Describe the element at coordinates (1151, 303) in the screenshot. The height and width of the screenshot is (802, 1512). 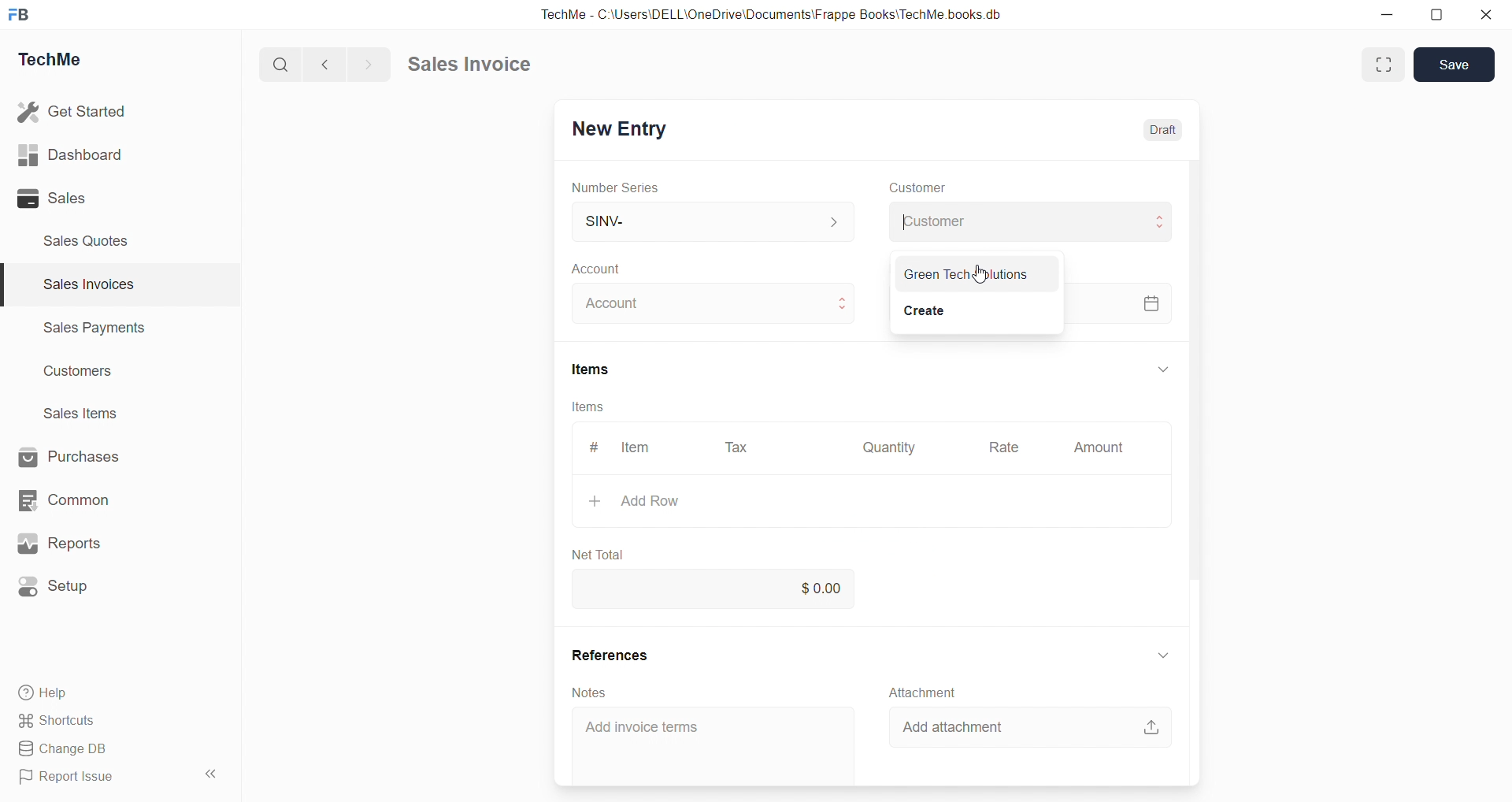
I see `calendar` at that location.